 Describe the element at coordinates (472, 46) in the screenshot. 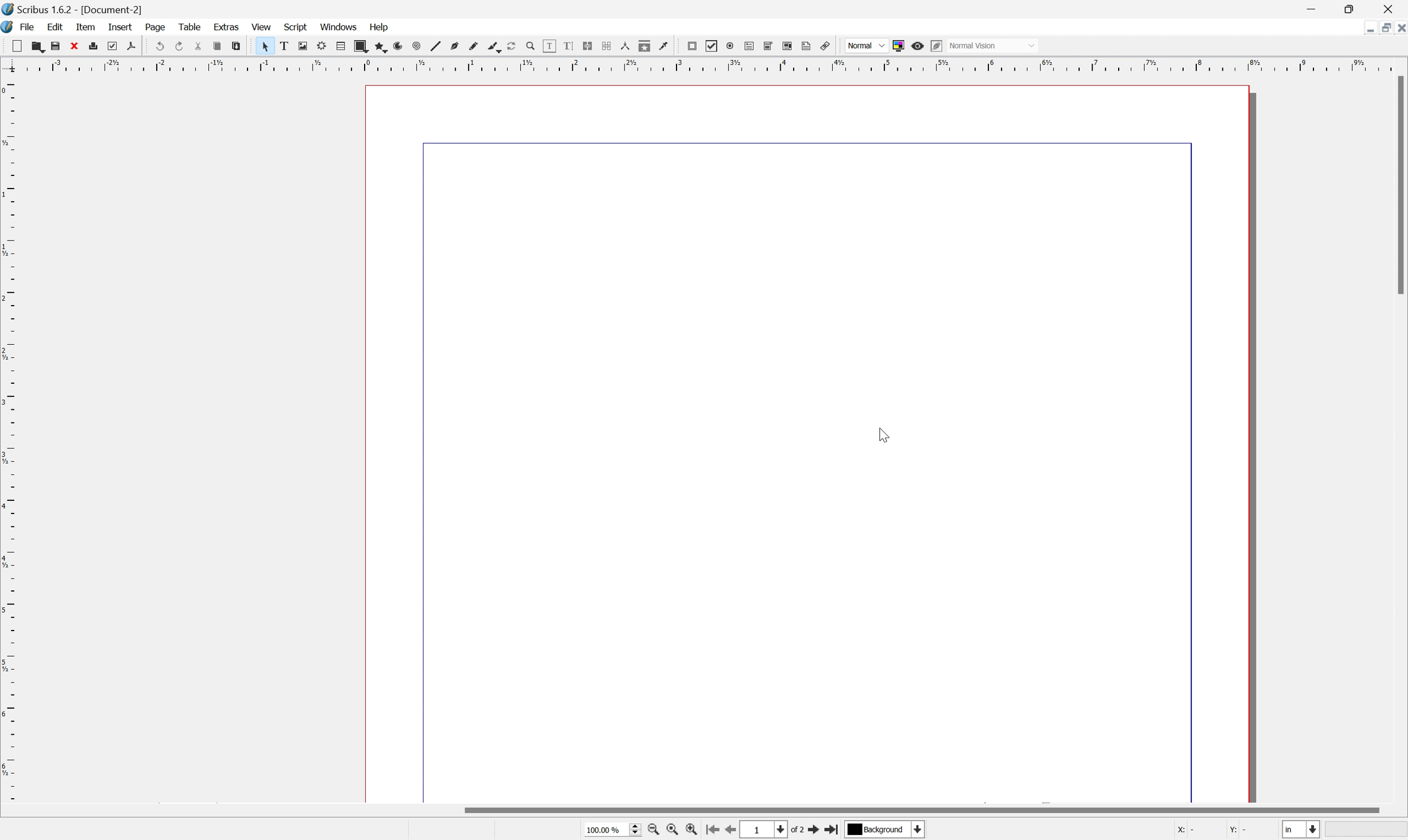

I see `Freehand line` at that location.